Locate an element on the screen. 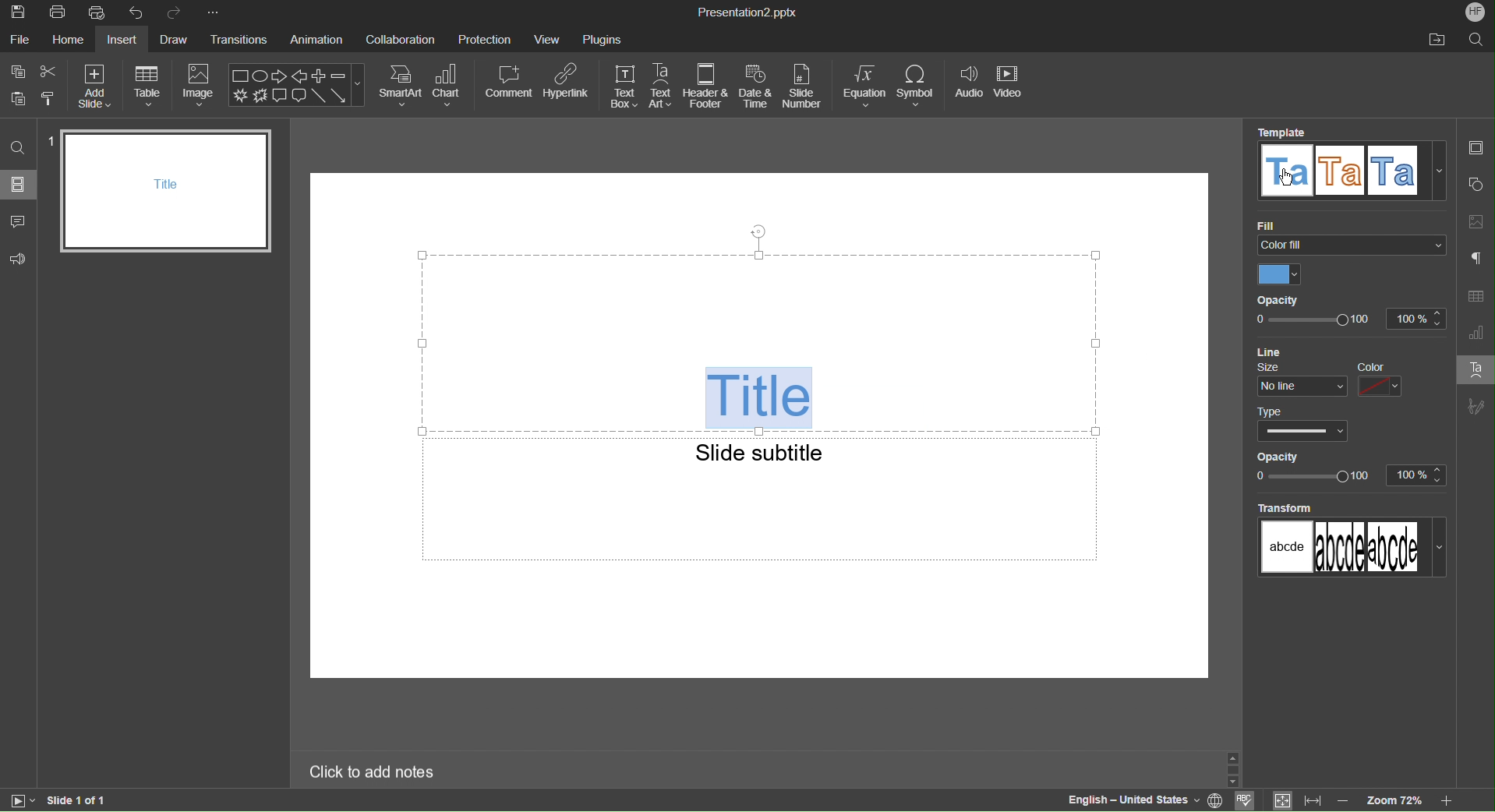 The image size is (1495, 812). Slides is located at coordinates (20, 185).